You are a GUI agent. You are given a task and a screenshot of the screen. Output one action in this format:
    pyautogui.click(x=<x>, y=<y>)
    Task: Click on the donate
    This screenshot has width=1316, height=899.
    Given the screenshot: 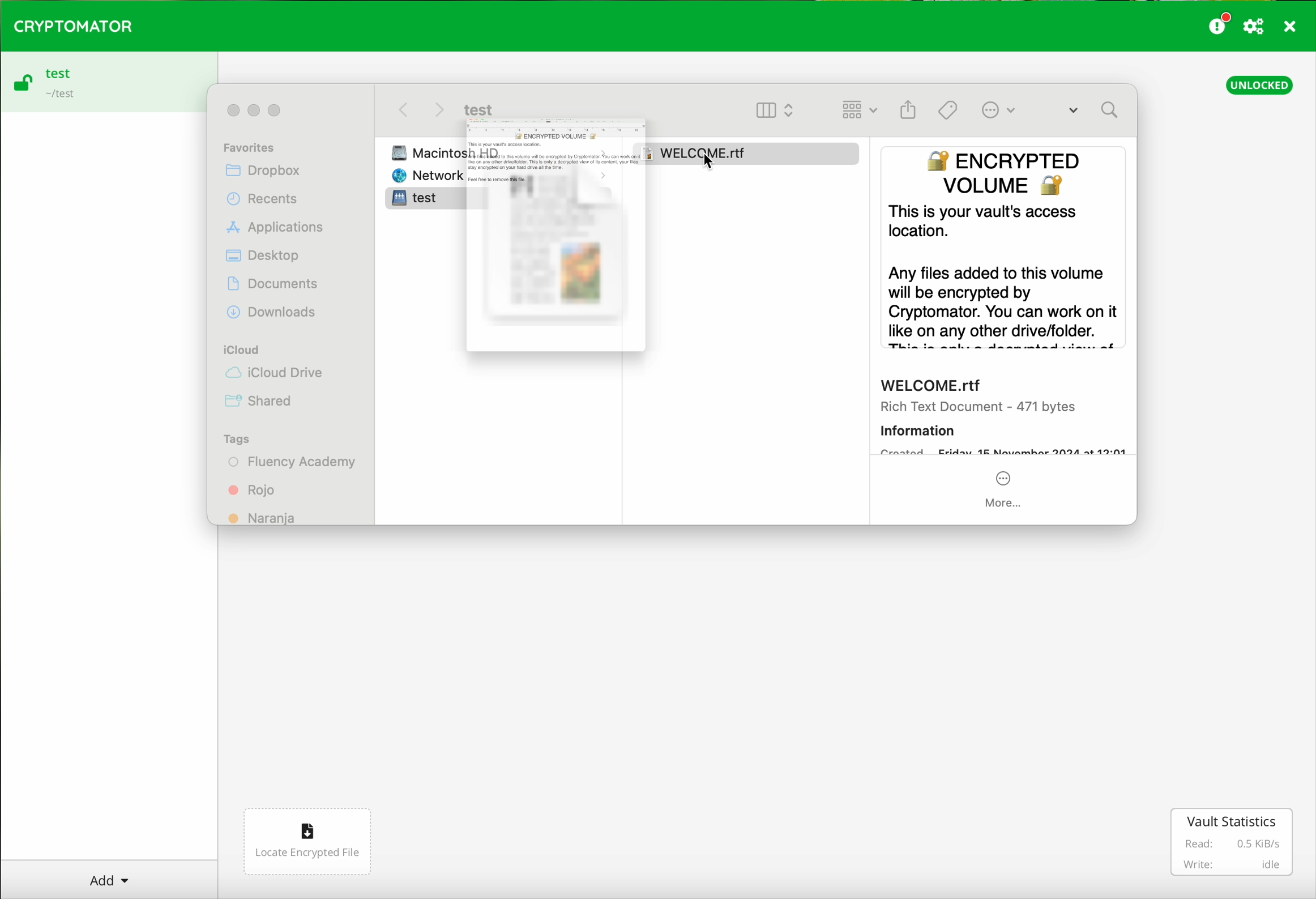 What is the action you would take?
    pyautogui.click(x=1220, y=23)
    